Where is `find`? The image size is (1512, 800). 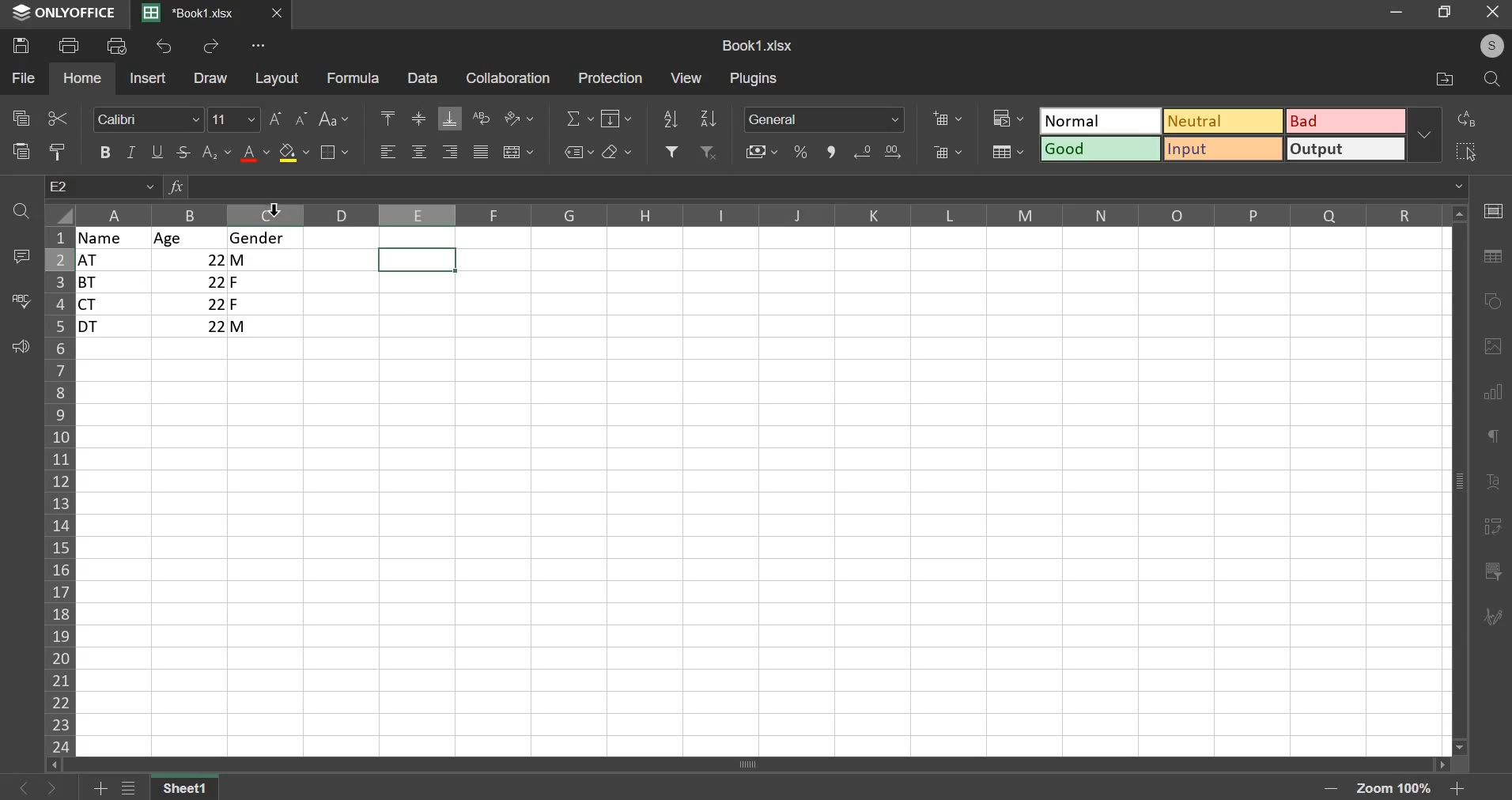 find is located at coordinates (23, 212).